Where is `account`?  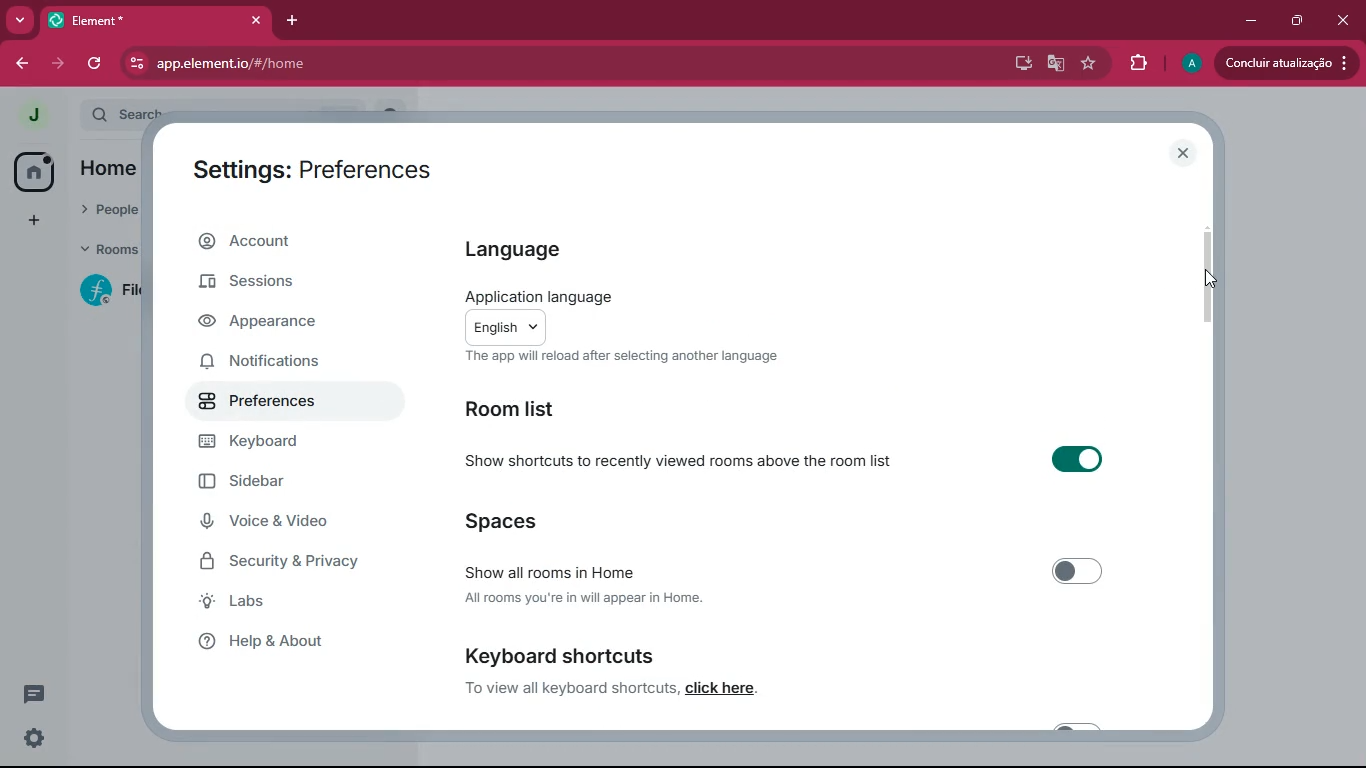
account is located at coordinates (287, 241).